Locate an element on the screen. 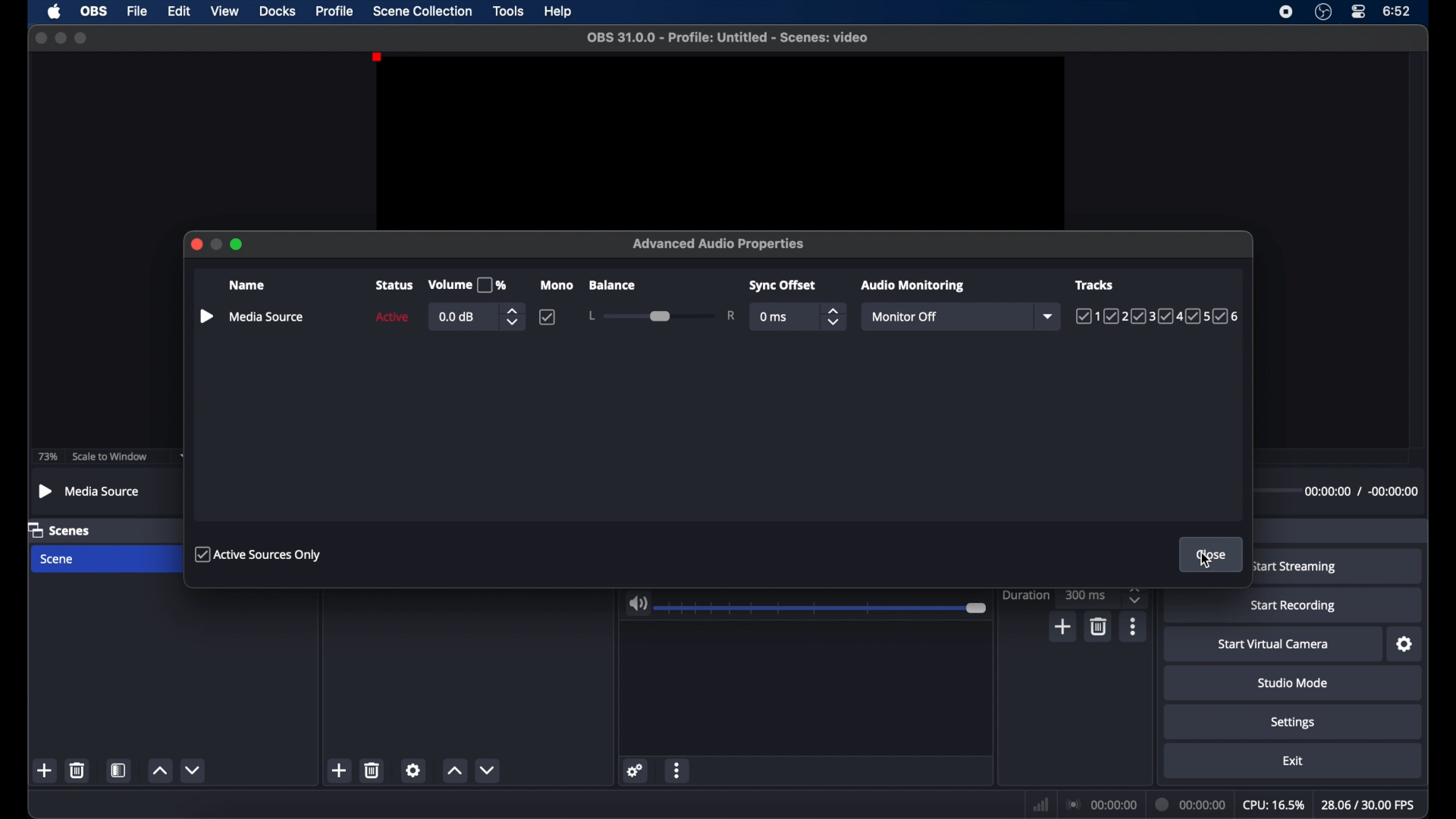 This screenshot has width=1456, height=819. add is located at coordinates (44, 770).